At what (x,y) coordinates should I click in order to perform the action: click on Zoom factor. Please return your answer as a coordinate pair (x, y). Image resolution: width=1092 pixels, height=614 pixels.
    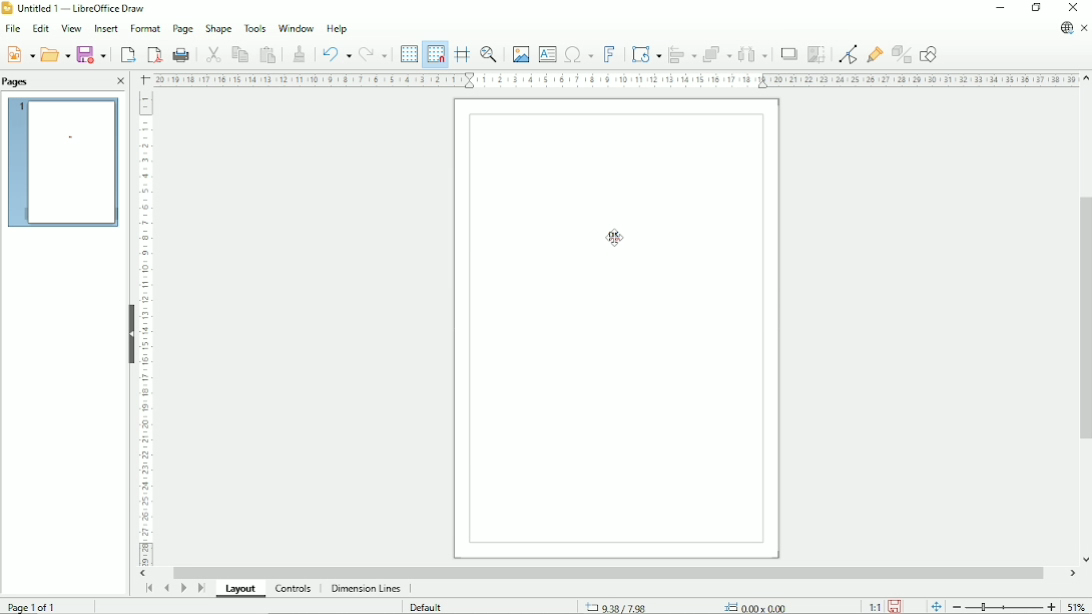
    Looking at the image, I should click on (1078, 607).